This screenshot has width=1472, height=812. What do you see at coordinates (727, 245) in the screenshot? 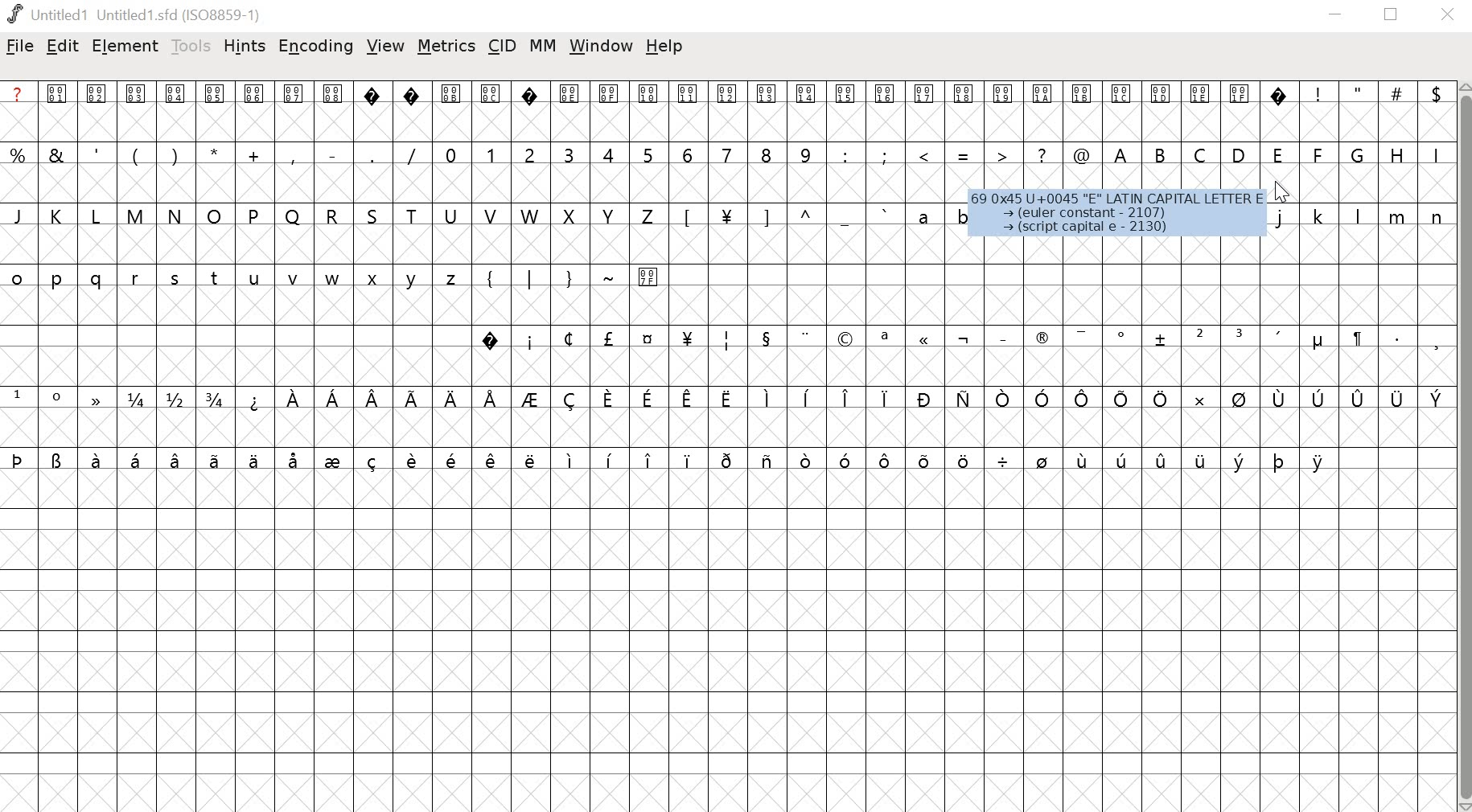
I see `empty cells` at bounding box center [727, 245].